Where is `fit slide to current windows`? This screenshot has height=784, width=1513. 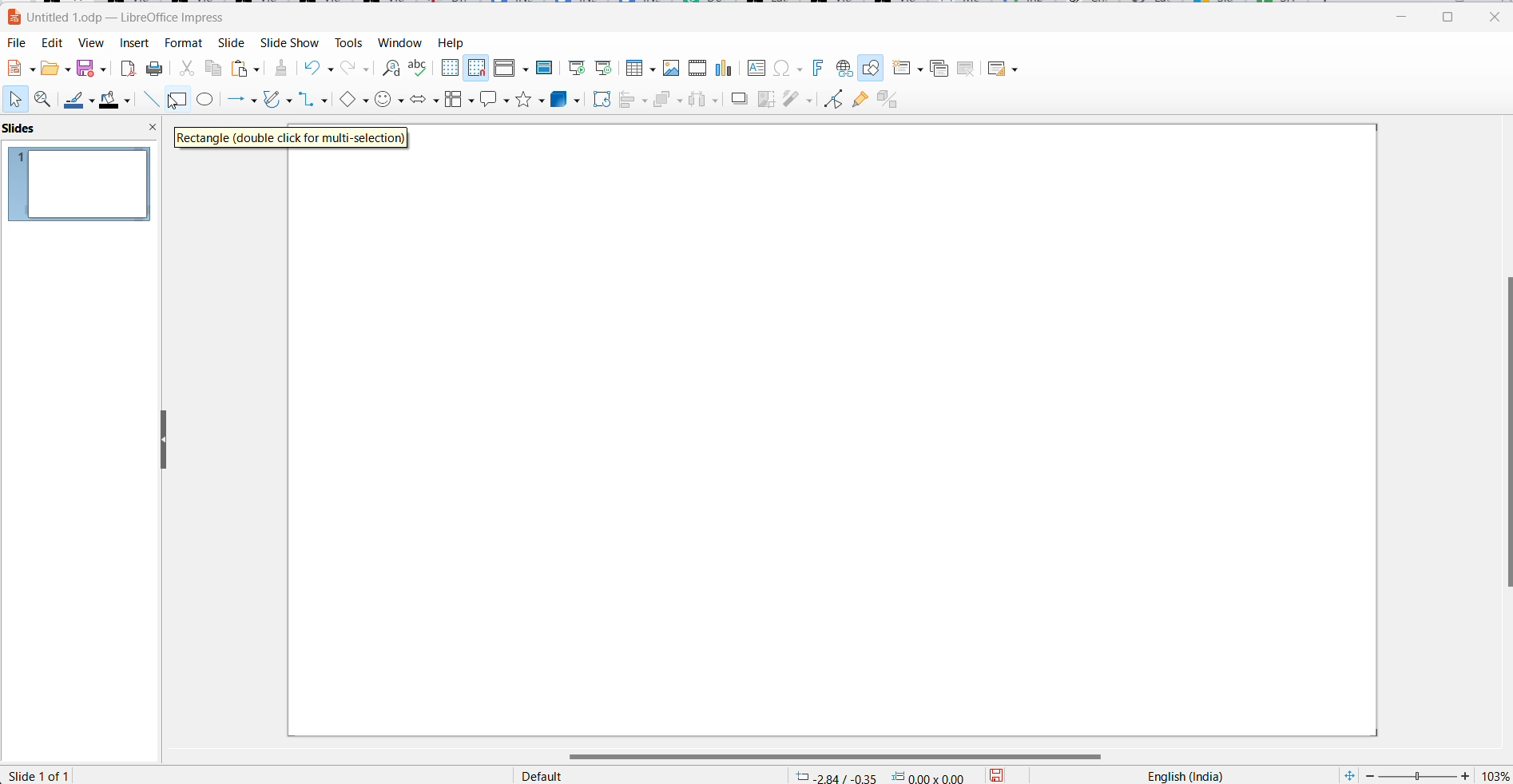 fit slide to current windows is located at coordinates (1347, 775).